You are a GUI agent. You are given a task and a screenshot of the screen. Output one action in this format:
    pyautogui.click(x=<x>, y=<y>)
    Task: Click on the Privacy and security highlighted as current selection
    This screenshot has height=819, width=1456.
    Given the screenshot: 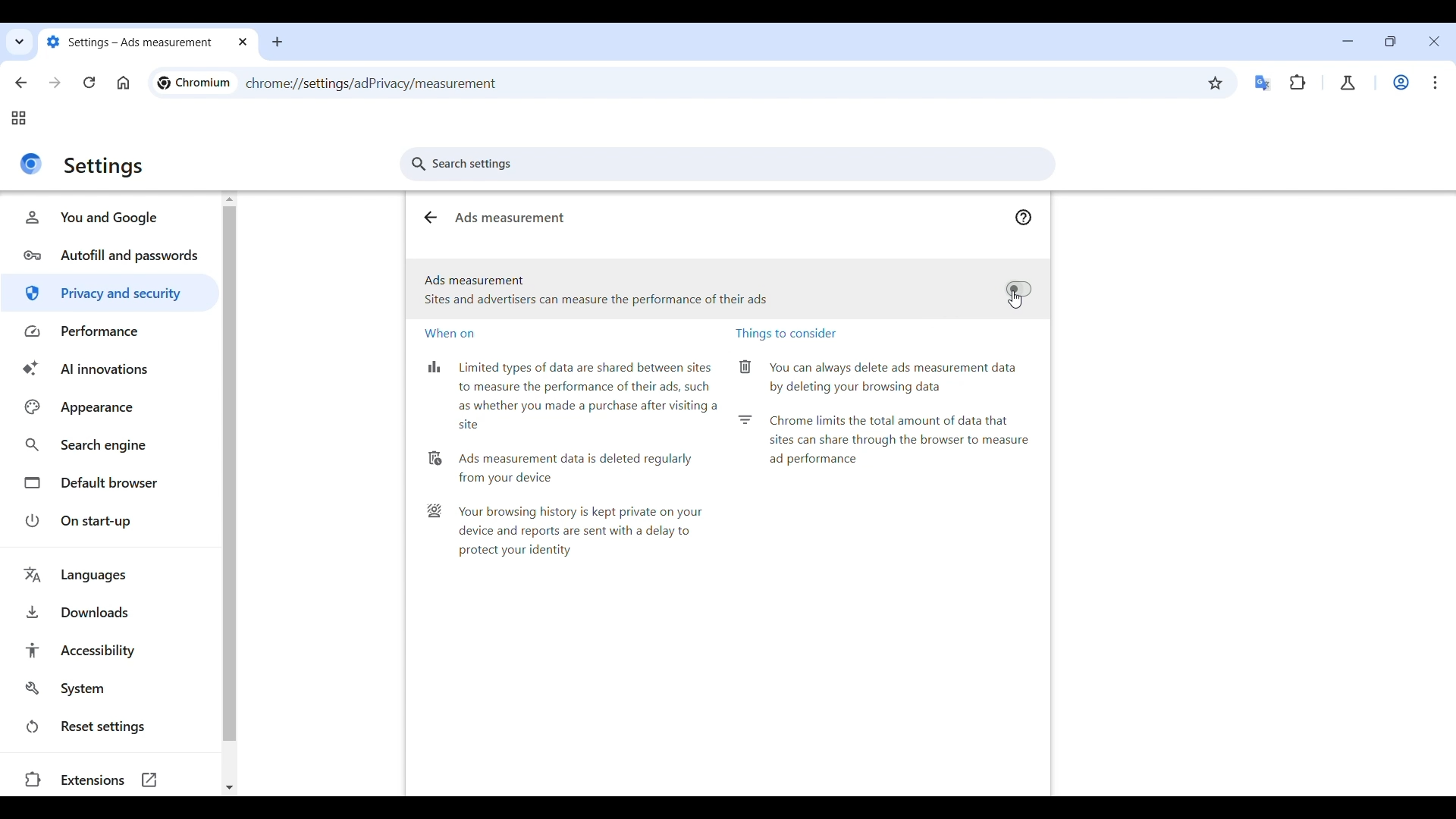 What is the action you would take?
    pyautogui.click(x=111, y=293)
    